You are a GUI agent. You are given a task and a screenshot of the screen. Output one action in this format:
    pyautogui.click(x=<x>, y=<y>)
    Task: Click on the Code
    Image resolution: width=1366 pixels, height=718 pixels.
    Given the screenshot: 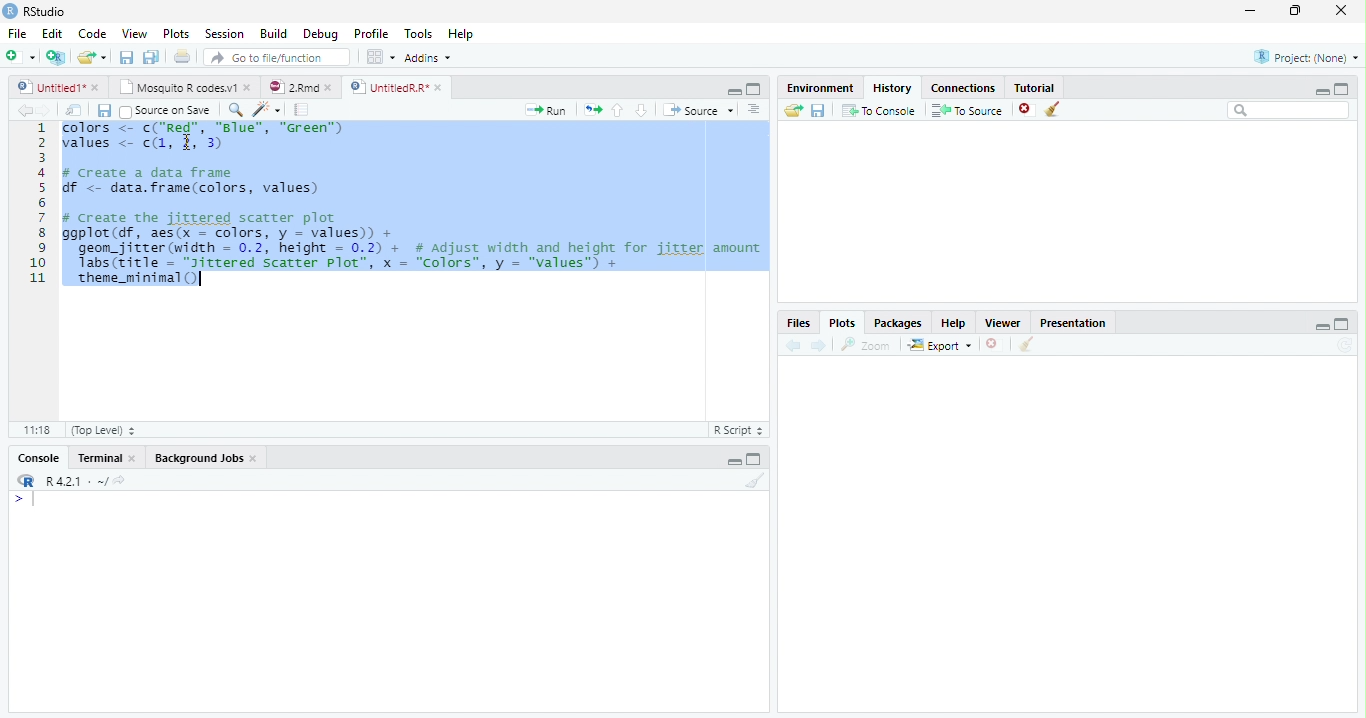 What is the action you would take?
    pyautogui.click(x=92, y=33)
    